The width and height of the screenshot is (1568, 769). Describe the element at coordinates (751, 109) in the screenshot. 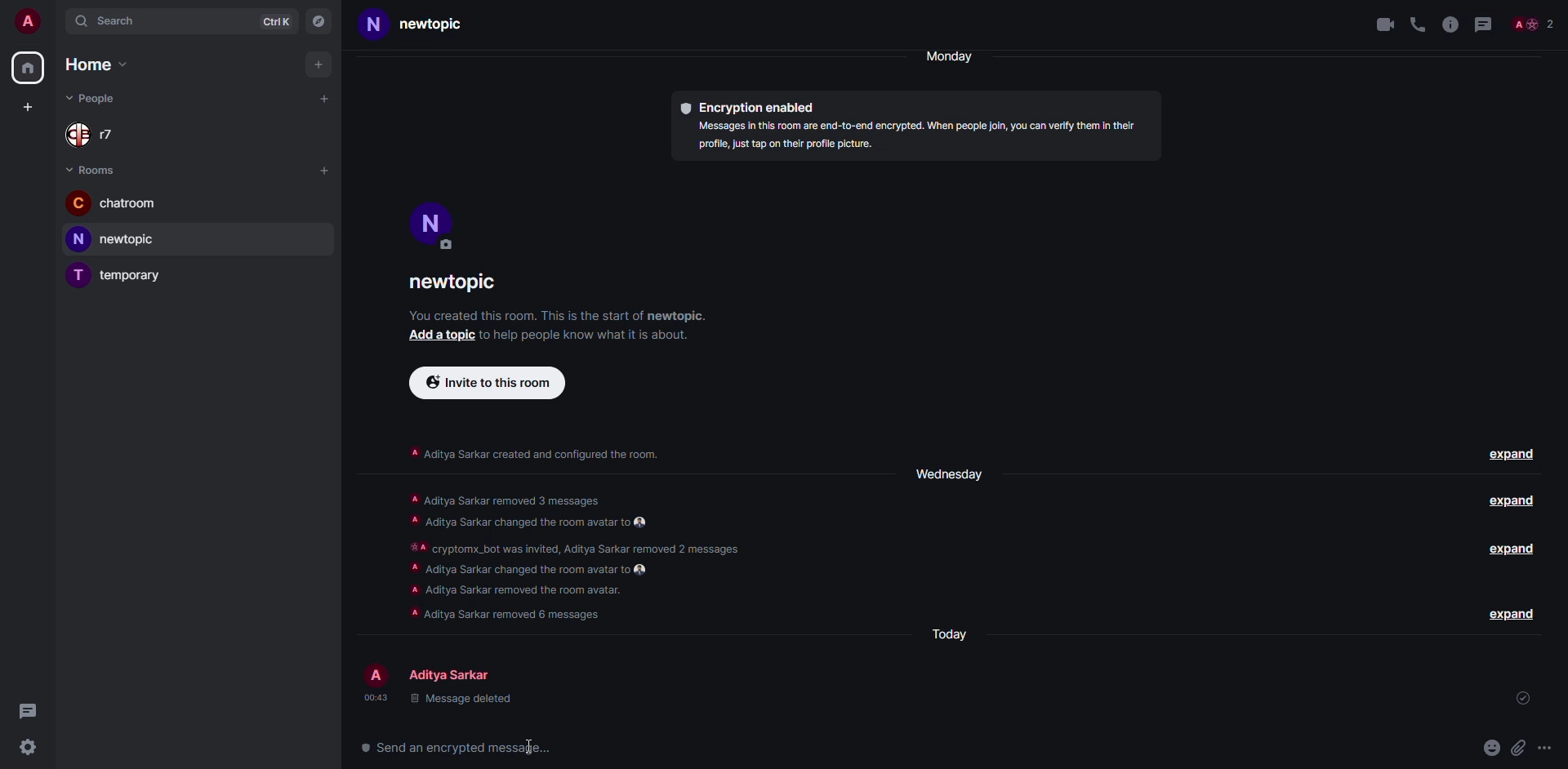

I see `encryption enabled` at that location.